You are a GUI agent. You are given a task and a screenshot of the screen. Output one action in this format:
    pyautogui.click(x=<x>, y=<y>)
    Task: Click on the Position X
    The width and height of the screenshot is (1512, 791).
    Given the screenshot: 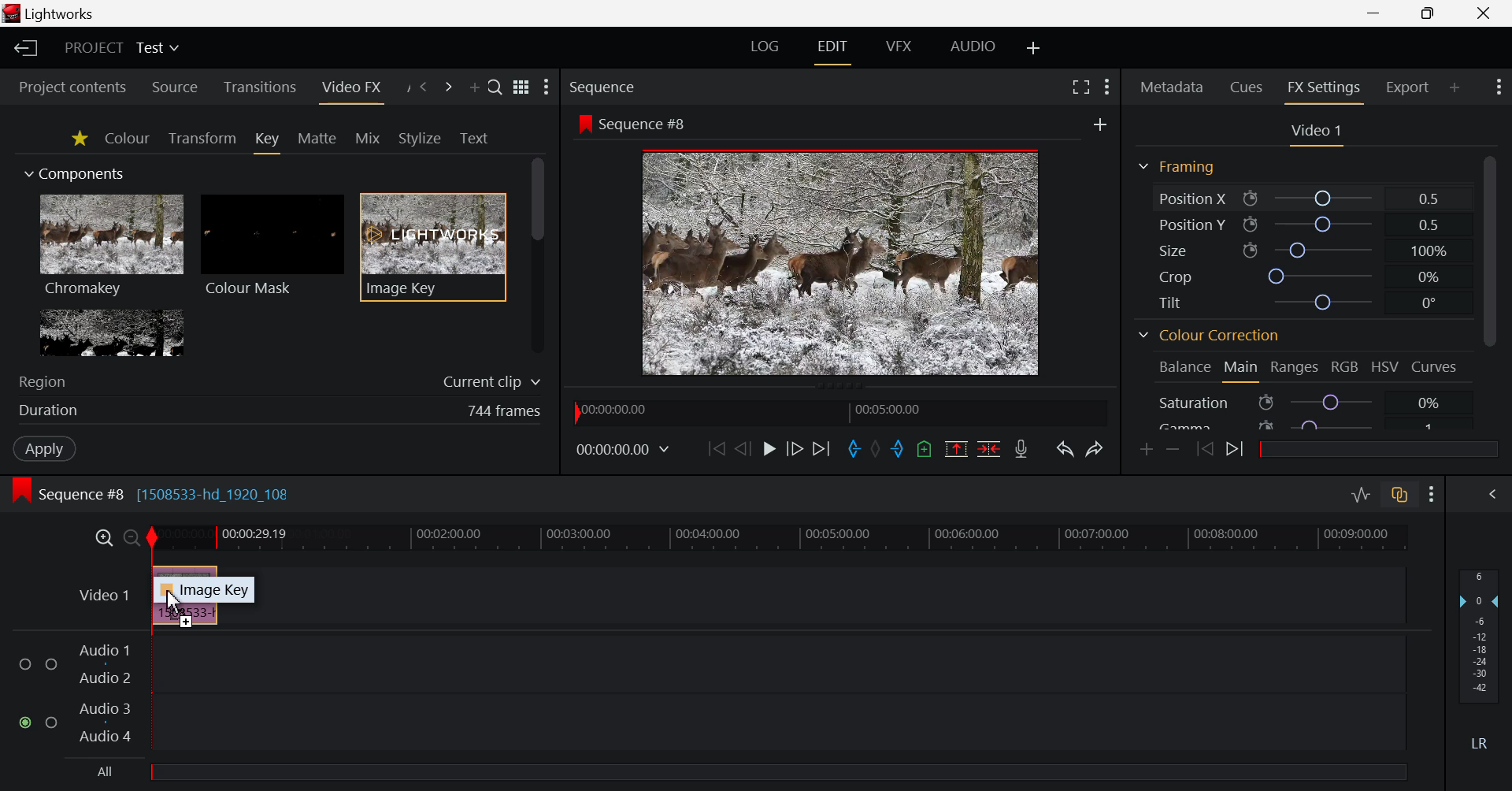 What is the action you would take?
    pyautogui.click(x=1326, y=199)
    